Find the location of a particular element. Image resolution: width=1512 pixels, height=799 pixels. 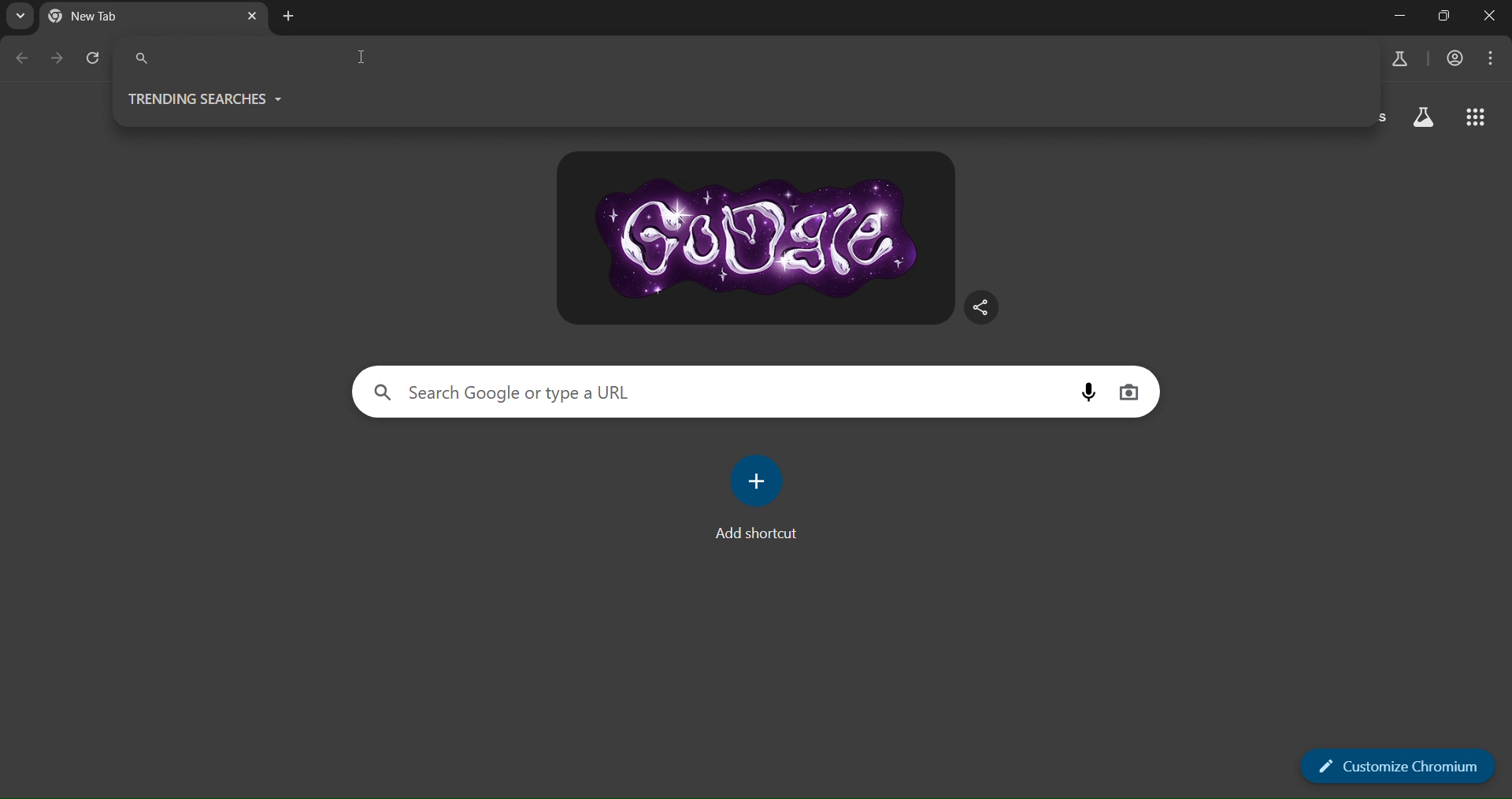

add shortcut is located at coordinates (759, 495).